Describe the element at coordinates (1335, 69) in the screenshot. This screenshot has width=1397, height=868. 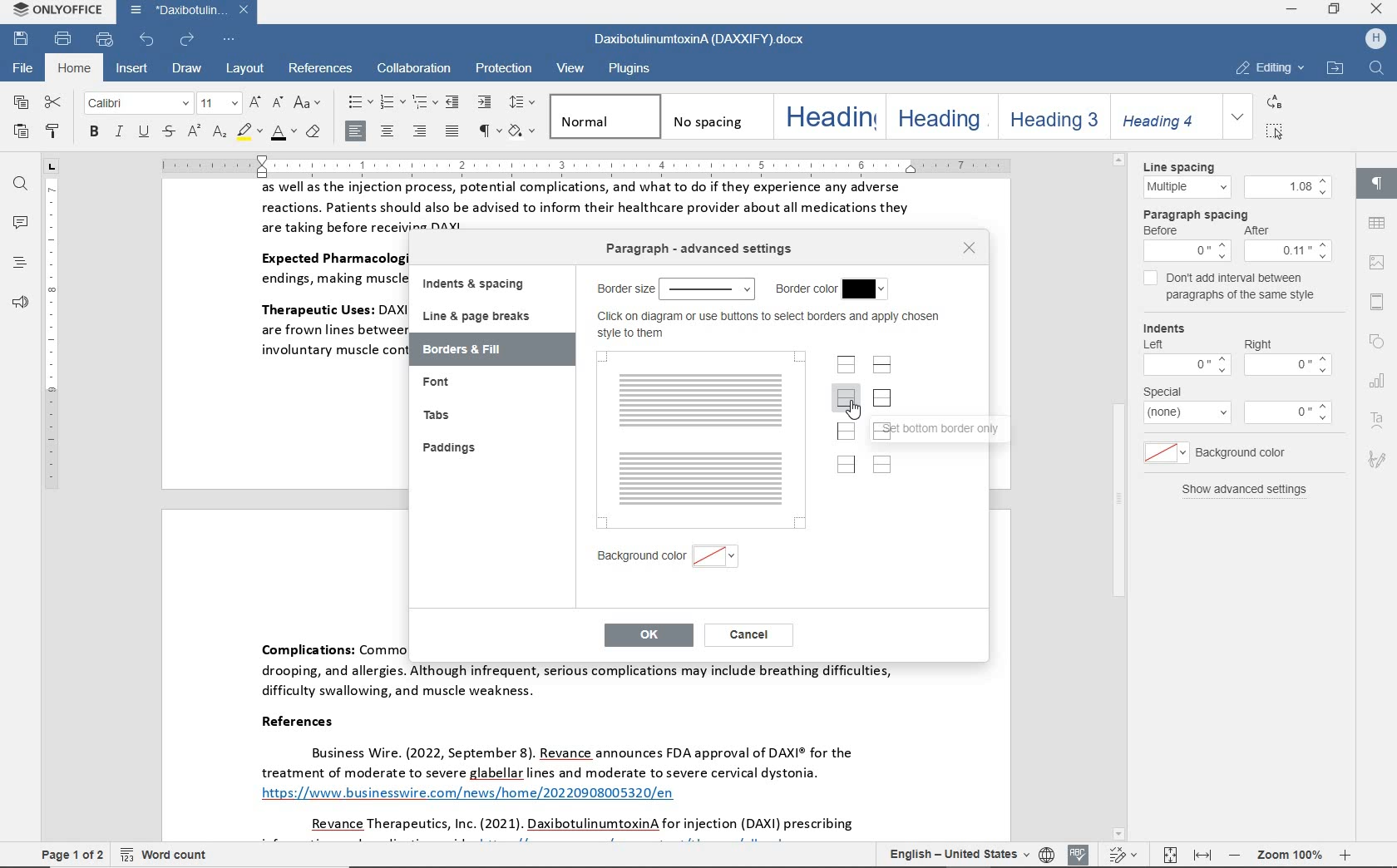
I see `open file location` at that location.